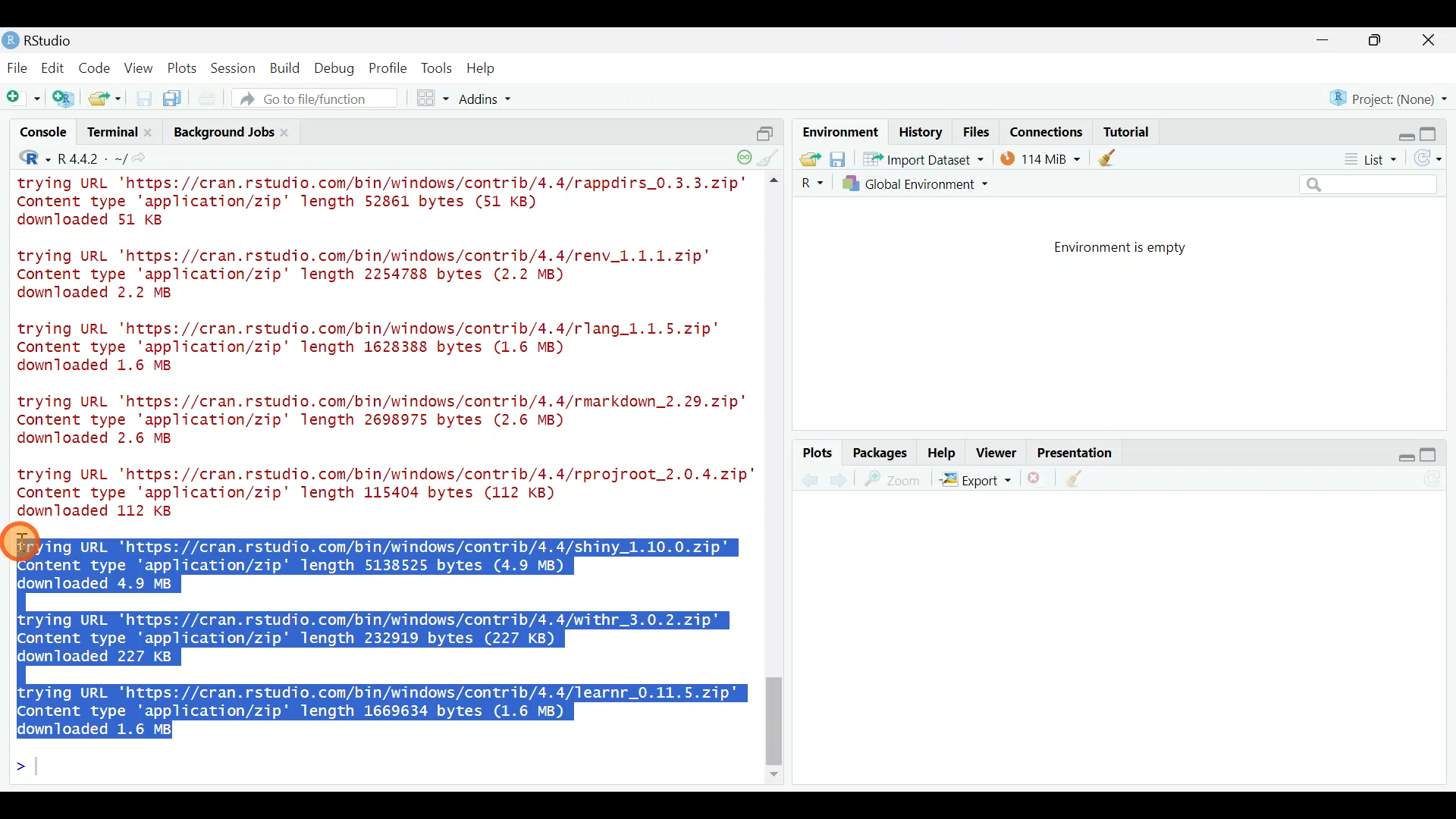  I want to click on 114 MIB, so click(1040, 158).